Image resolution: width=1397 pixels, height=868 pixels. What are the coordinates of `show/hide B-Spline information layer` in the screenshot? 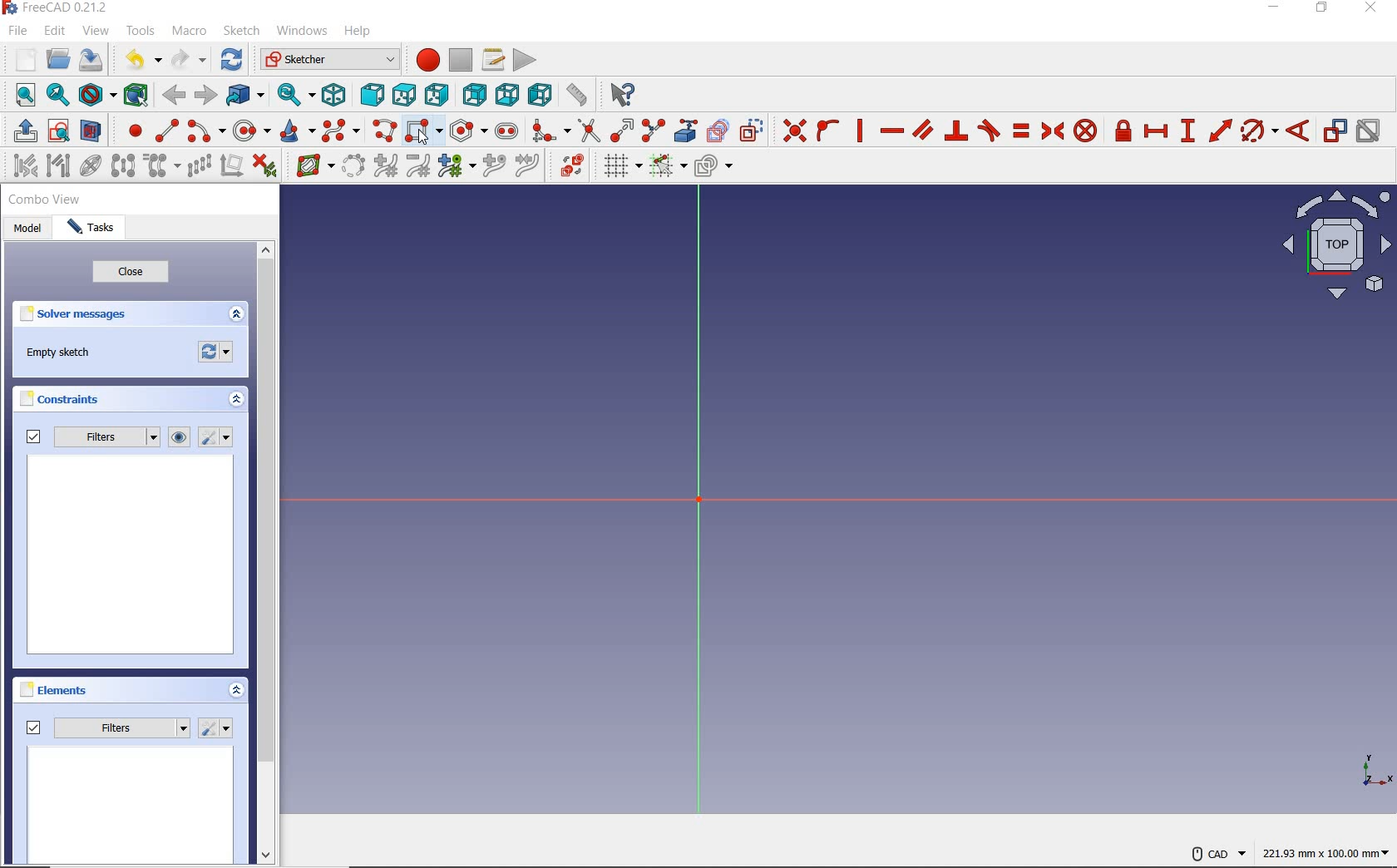 It's located at (309, 167).